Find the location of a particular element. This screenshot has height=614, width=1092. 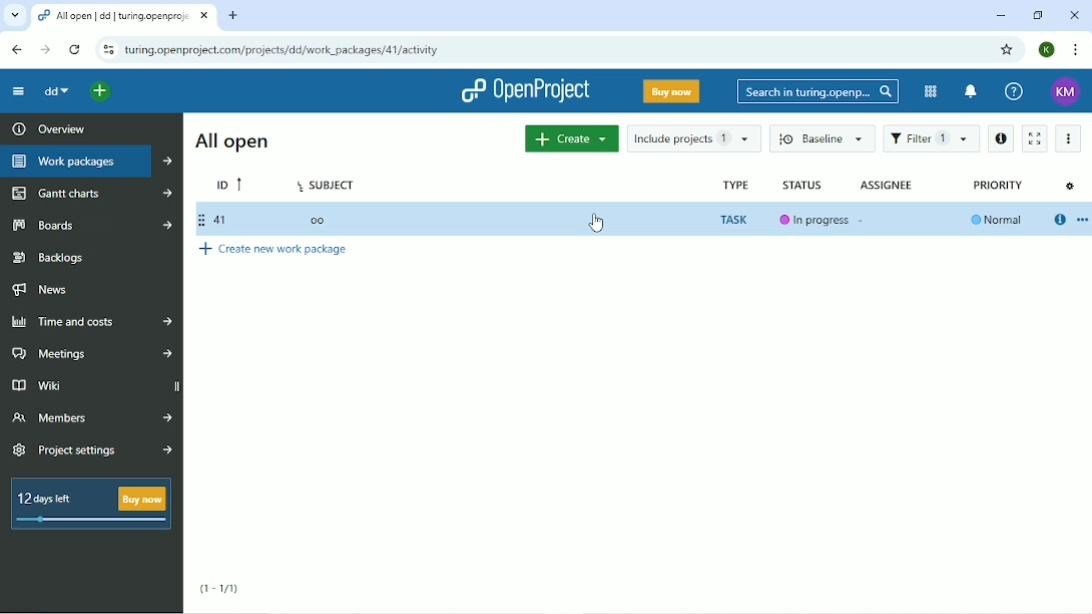

(1-1/1) is located at coordinates (217, 590).